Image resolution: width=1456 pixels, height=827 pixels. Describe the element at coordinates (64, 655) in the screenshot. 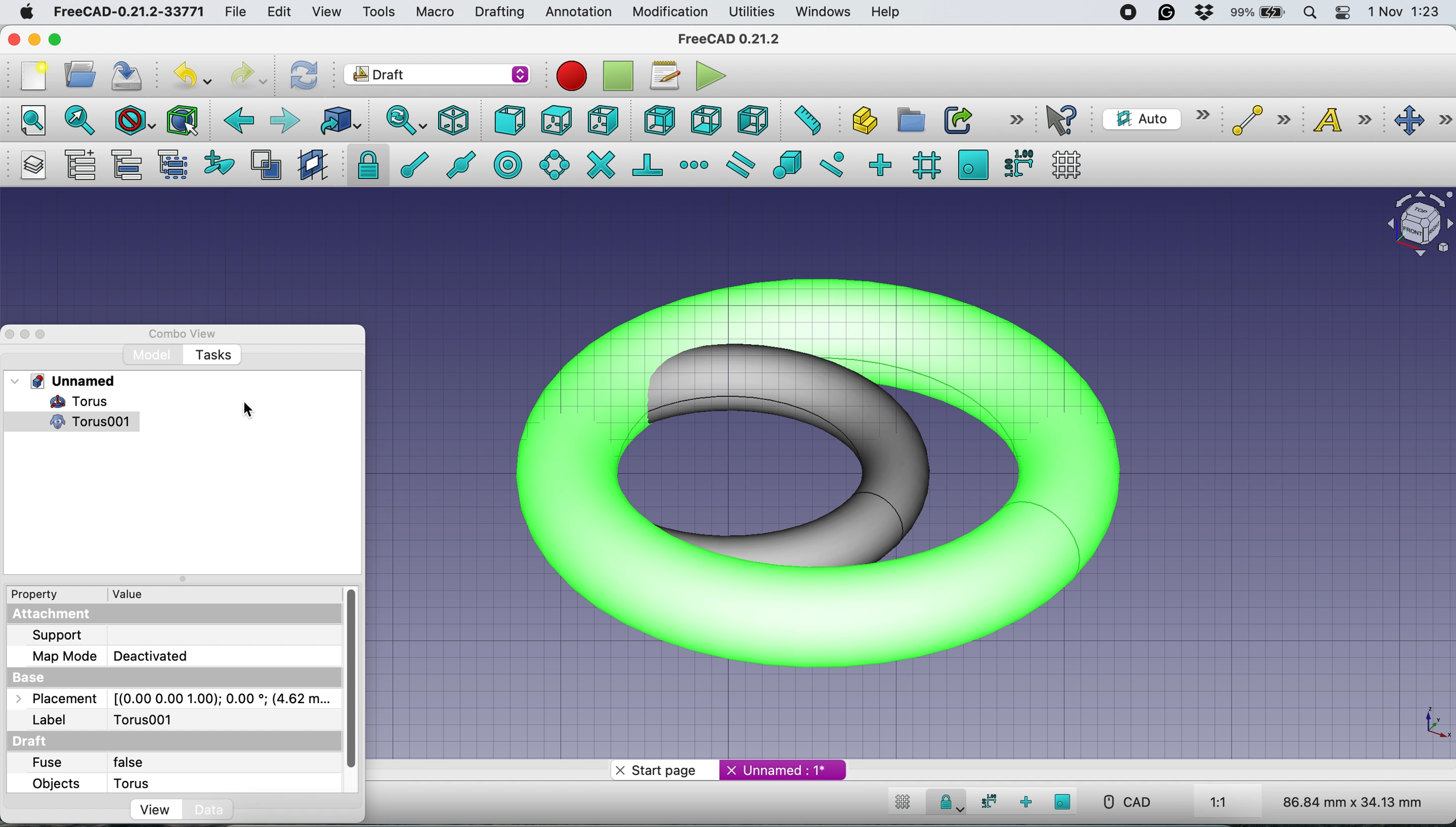

I see `Map Mode` at that location.